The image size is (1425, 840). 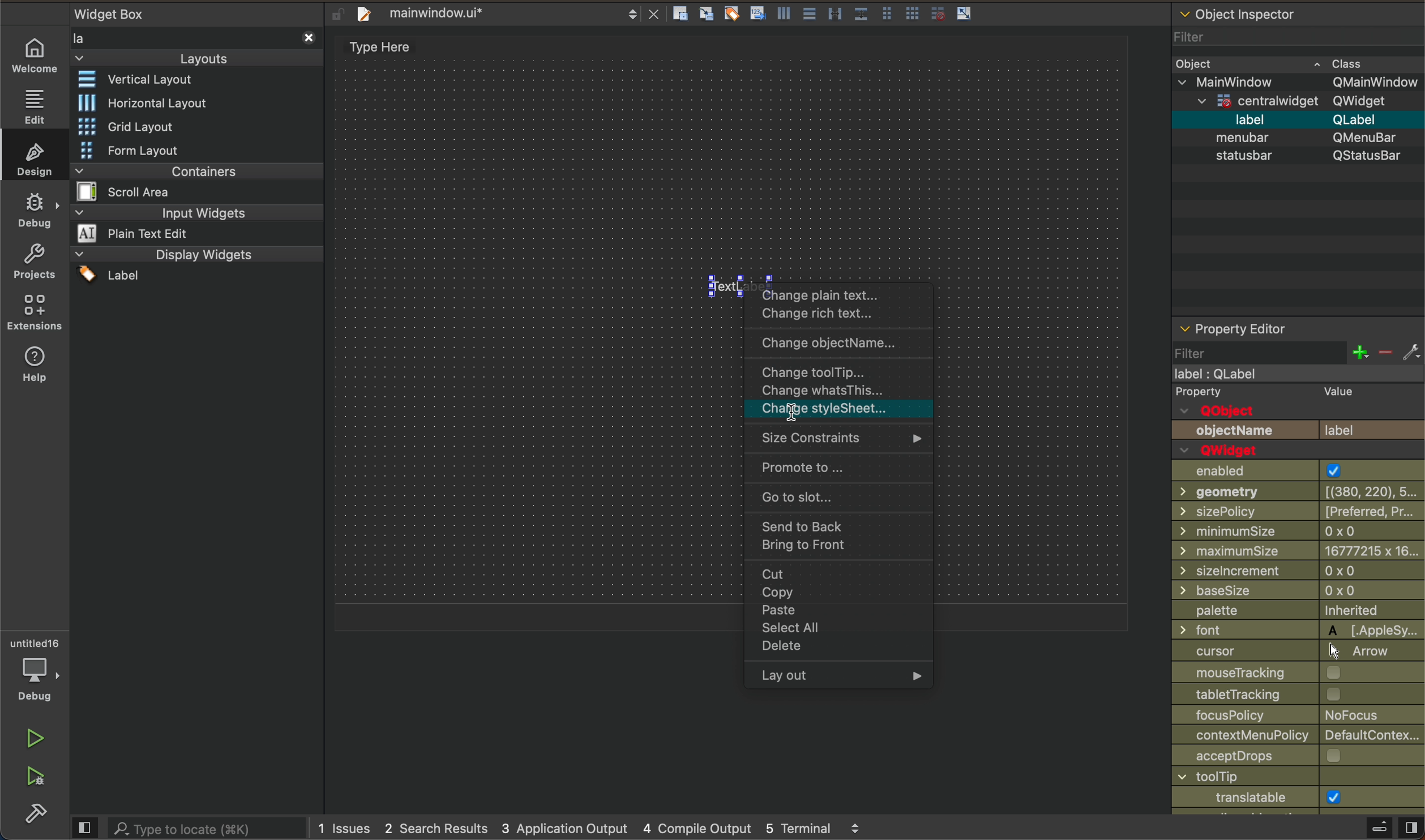 What do you see at coordinates (190, 190) in the screenshot?
I see `containers` at bounding box center [190, 190].